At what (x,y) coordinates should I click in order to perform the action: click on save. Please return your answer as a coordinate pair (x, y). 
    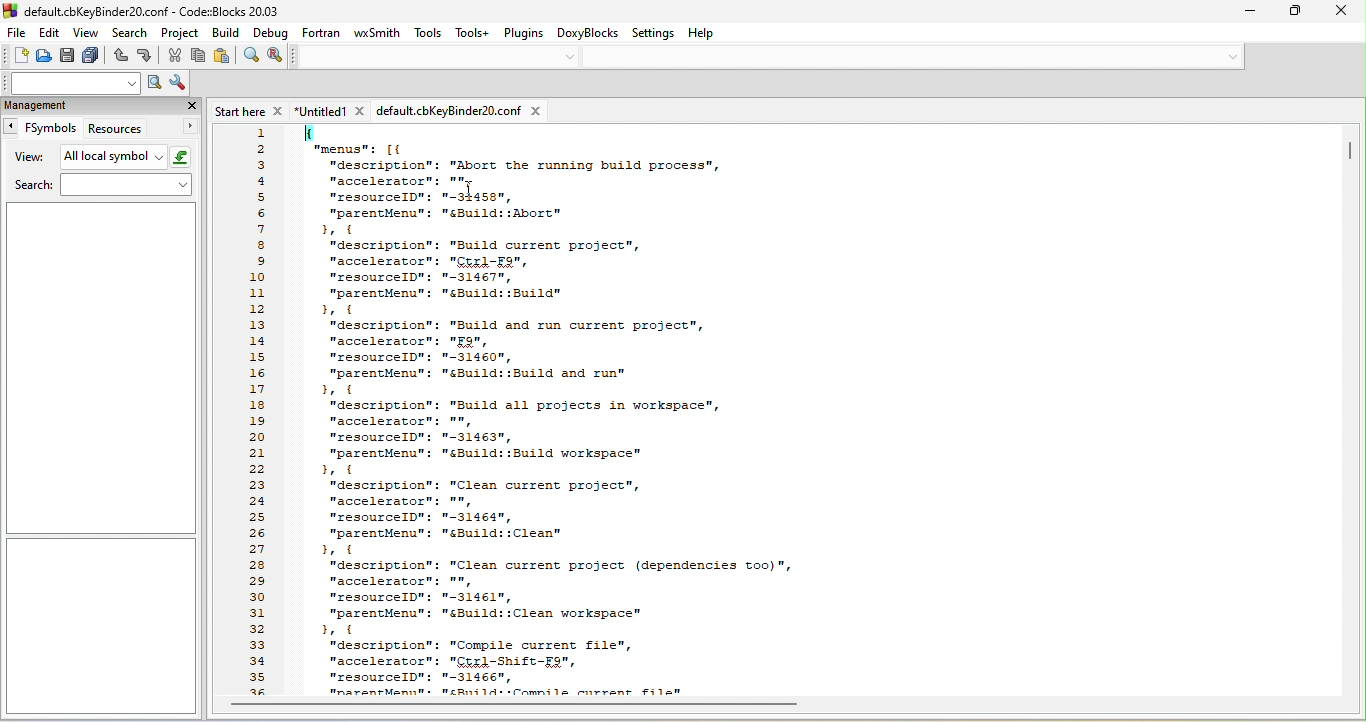
    Looking at the image, I should click on (68, 56).